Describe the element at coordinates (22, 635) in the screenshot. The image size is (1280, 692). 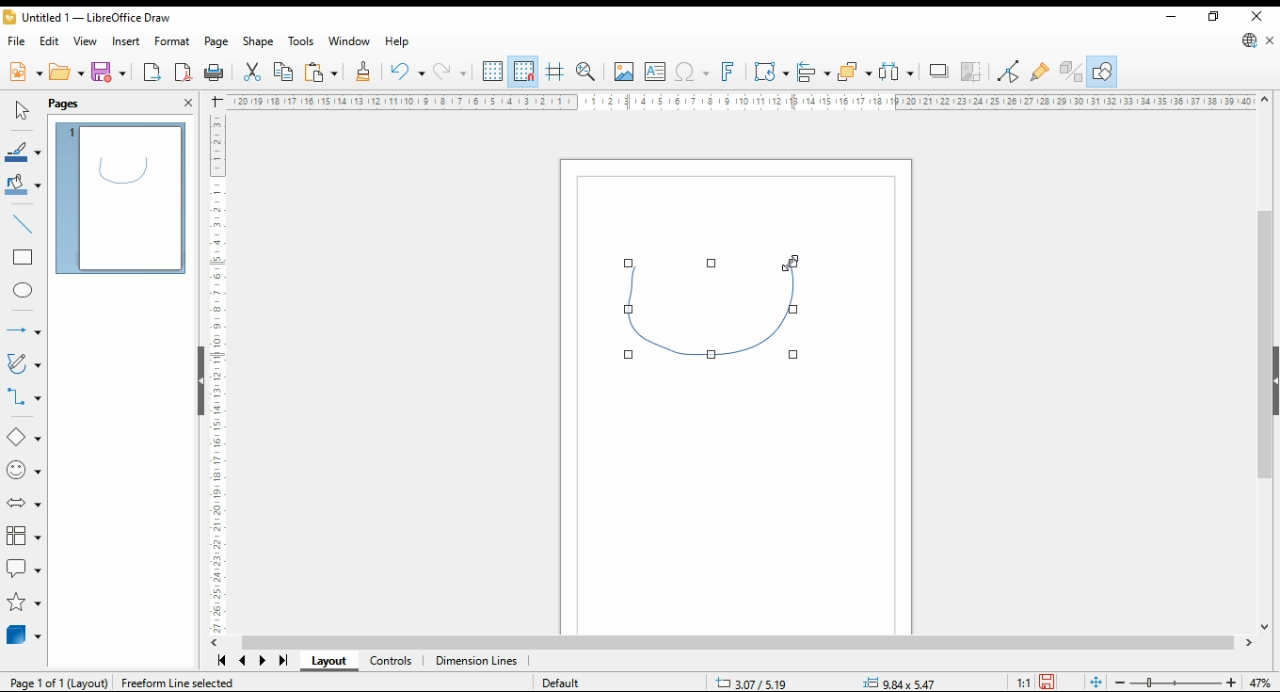
I see `3D objects` at that location.